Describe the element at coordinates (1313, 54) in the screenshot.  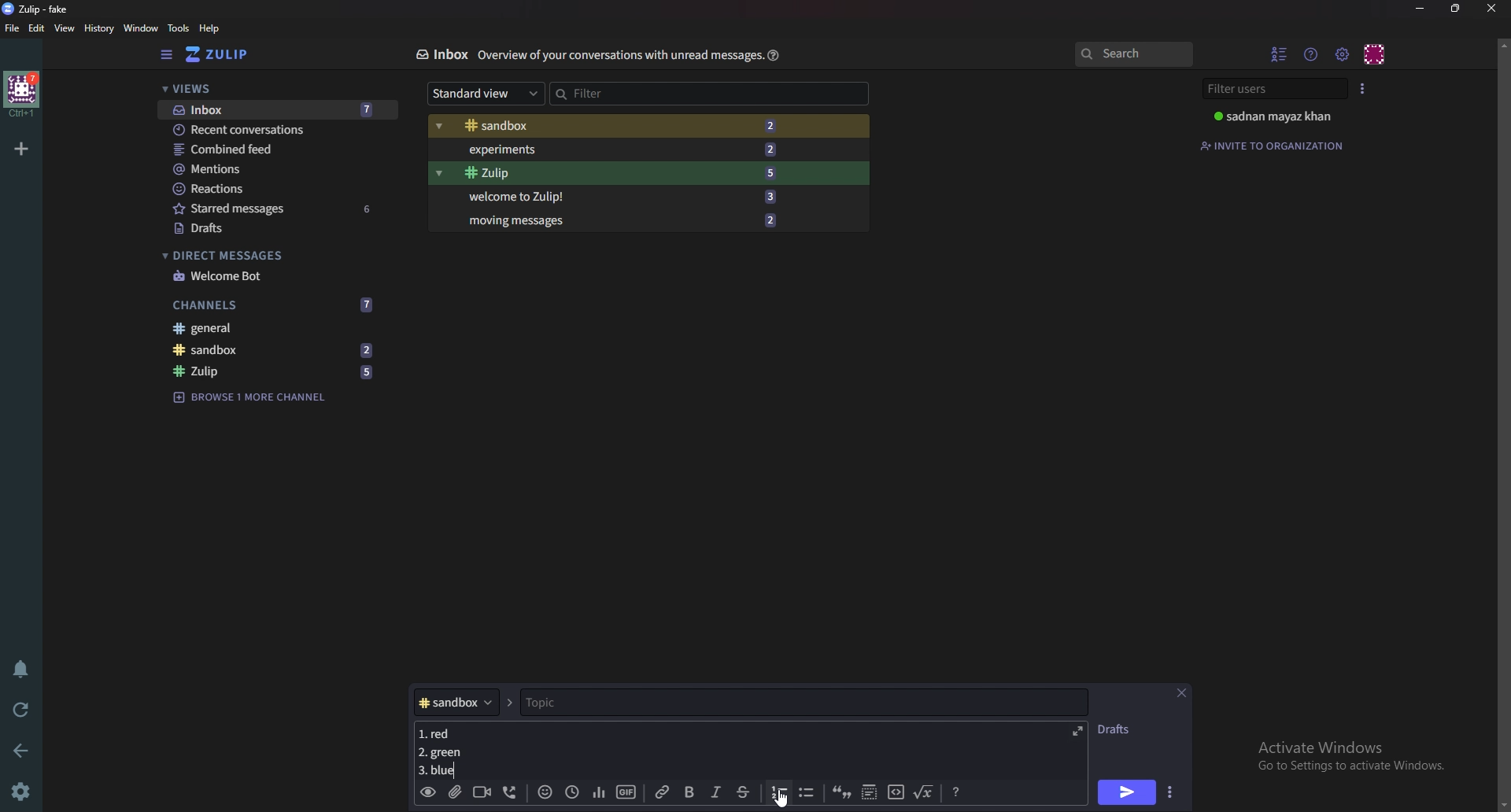
I see `Help menu` at that location.